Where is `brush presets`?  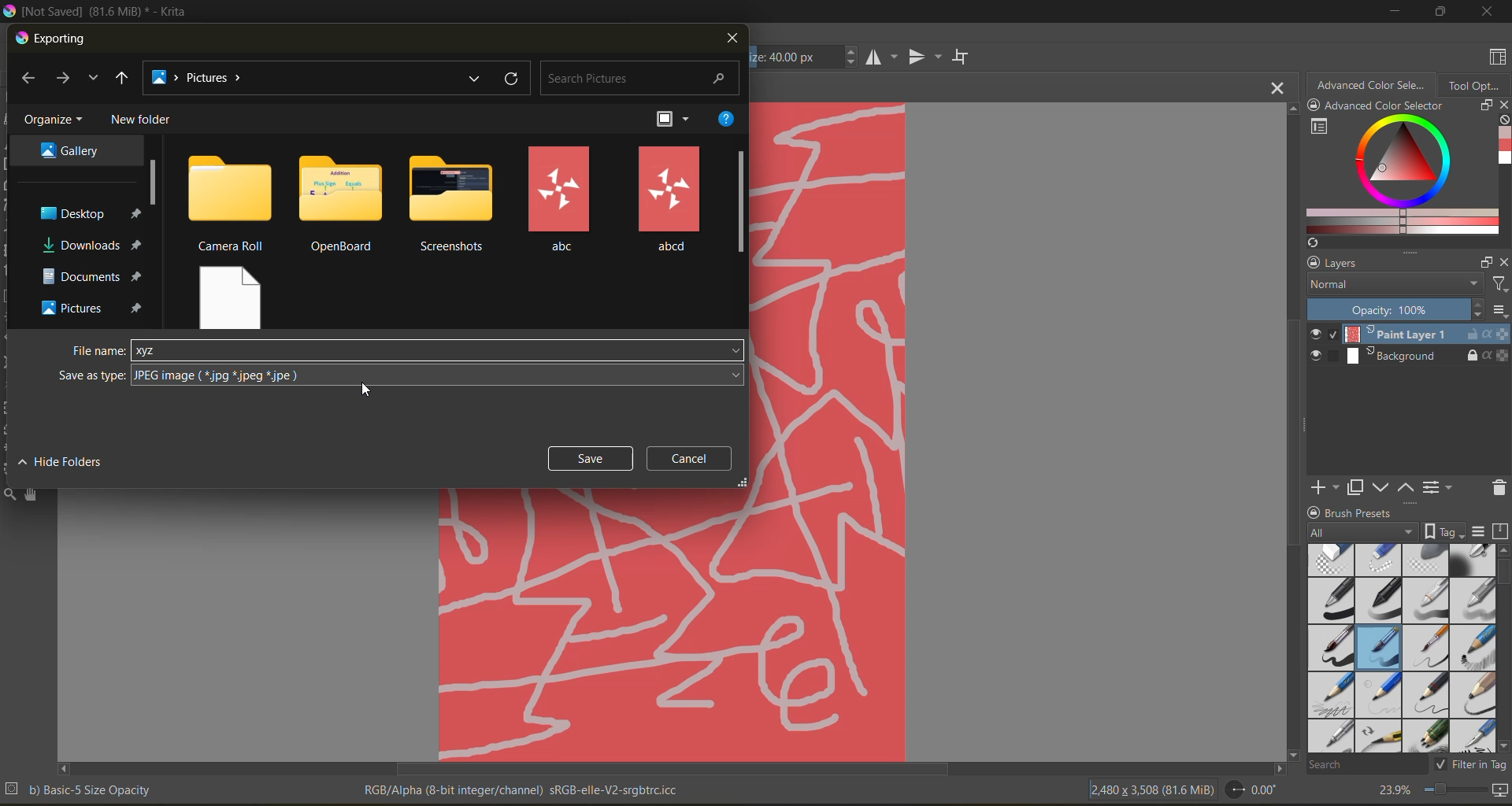 brush presets is located at coordinates (1398, 649).